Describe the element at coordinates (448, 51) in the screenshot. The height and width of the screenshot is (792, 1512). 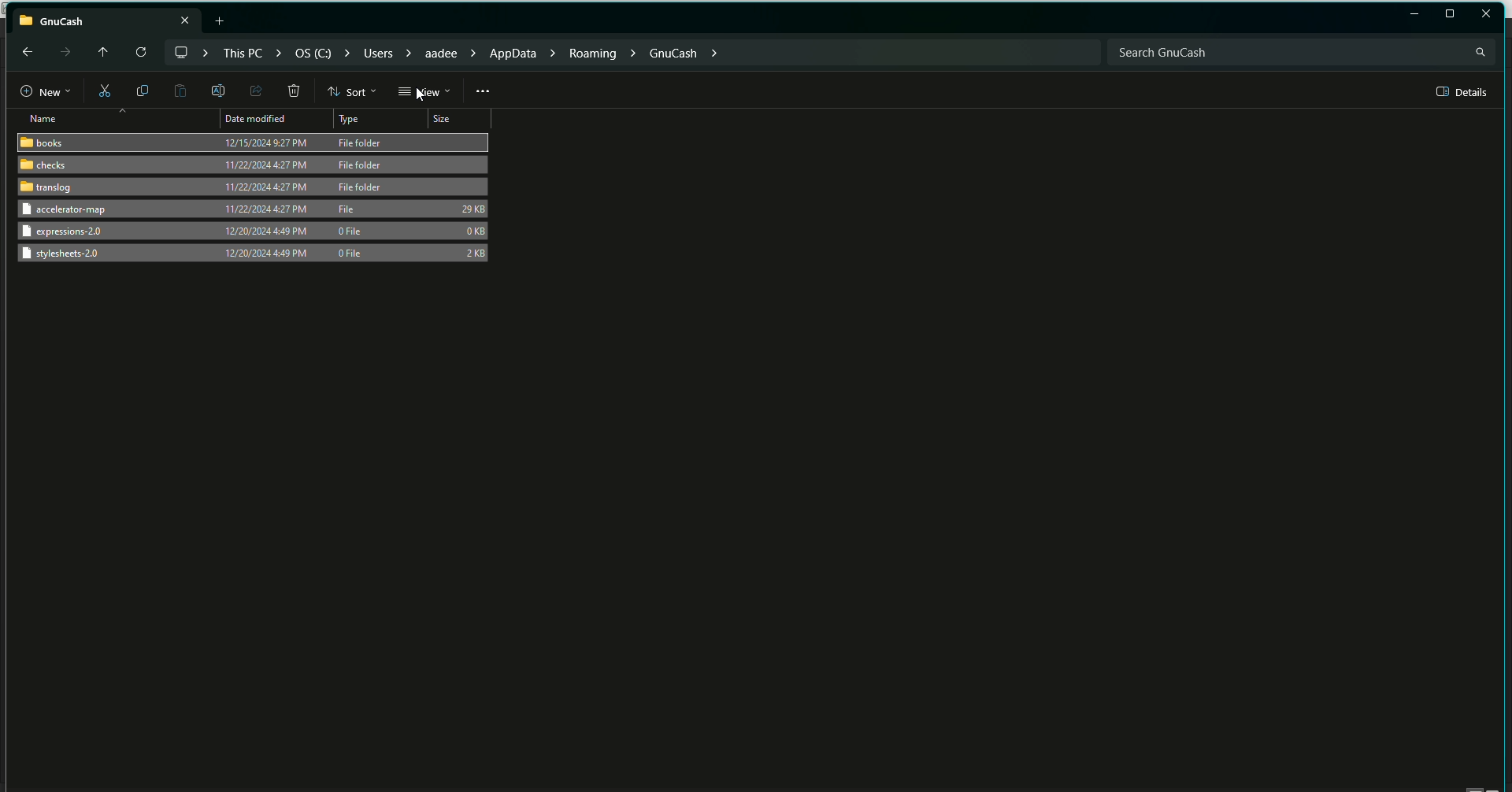
I see `File path` at that location.